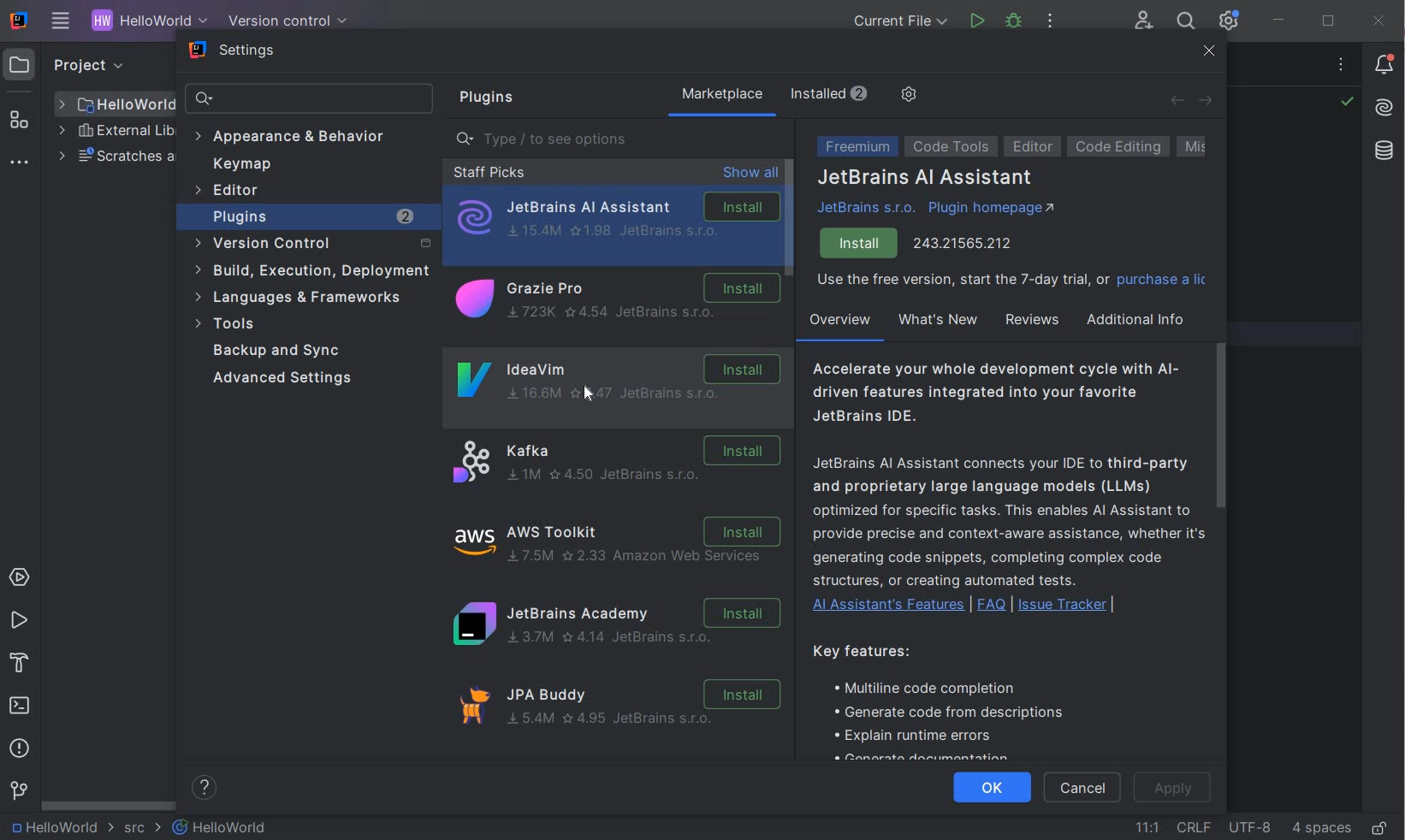 The height and width of the screenshot is (840, 1405). What do you see at coordinates (1051, 25) in the screenshot?
I see `MORE ACTIONS` at bounding box center [1051, 25].